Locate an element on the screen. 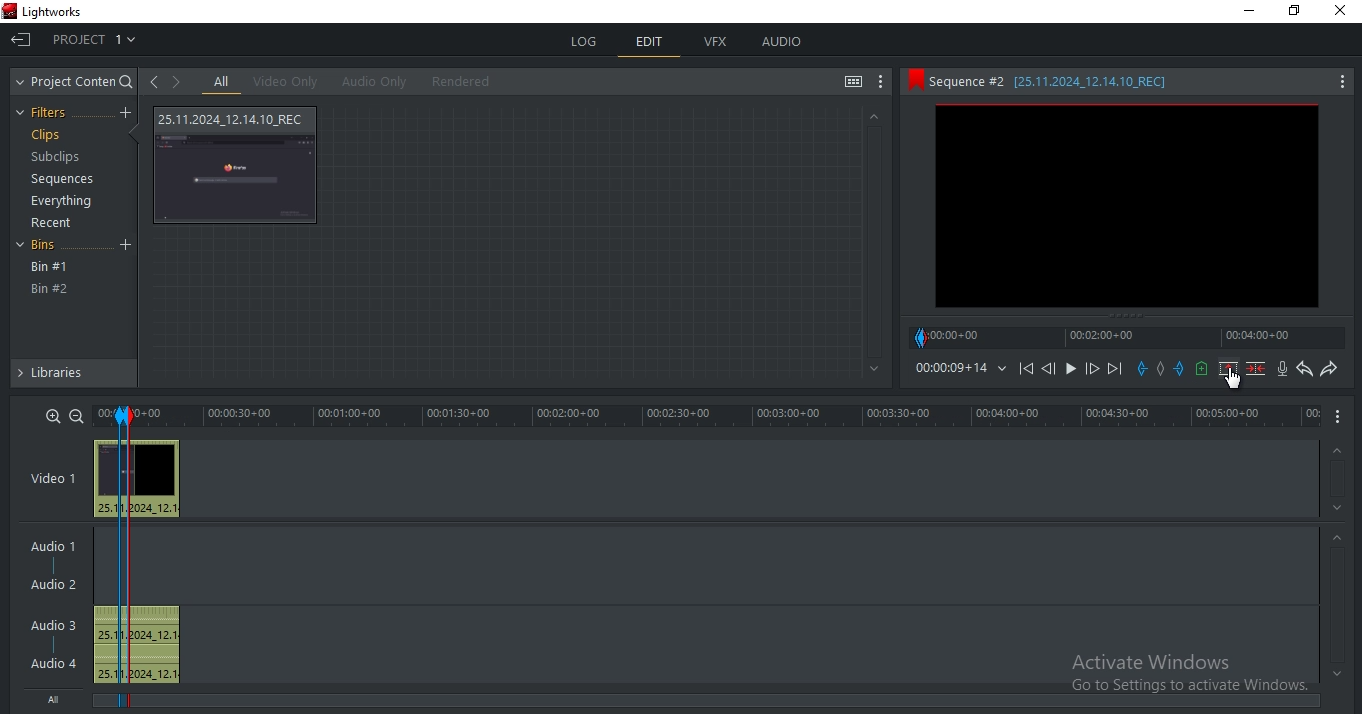 The width and height of the screenshot is (1362, 714). video is located at coordinates (238, 165).